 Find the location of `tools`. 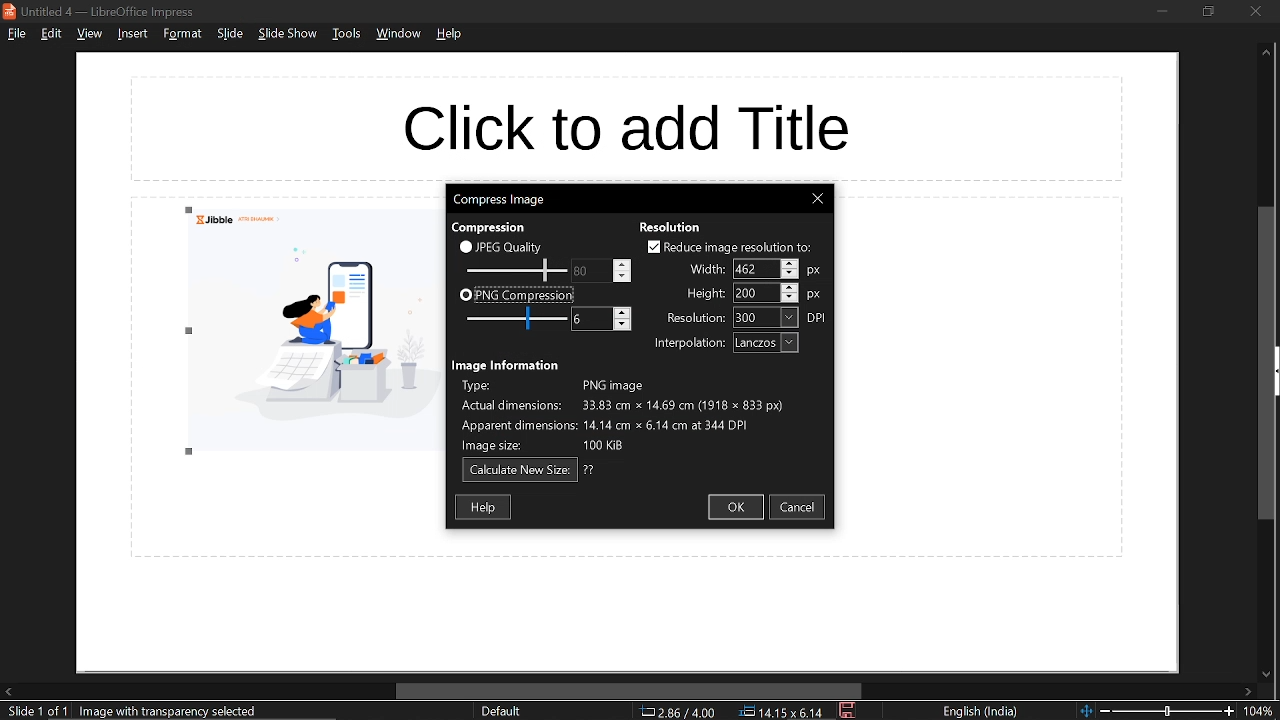

tools is located at coordinates (346, 33).